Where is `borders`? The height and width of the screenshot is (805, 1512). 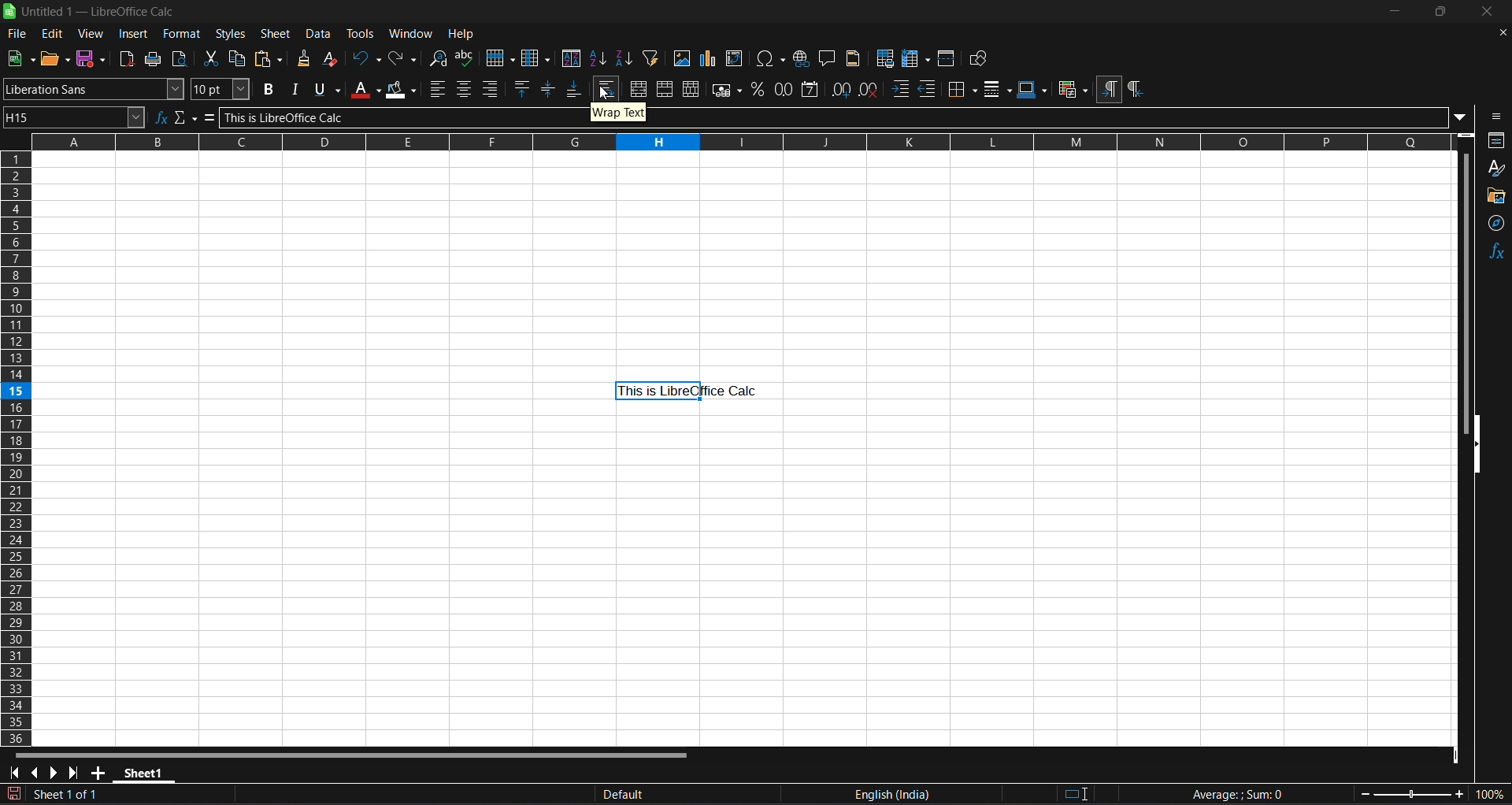 borders is located at coordinates (961, 88).